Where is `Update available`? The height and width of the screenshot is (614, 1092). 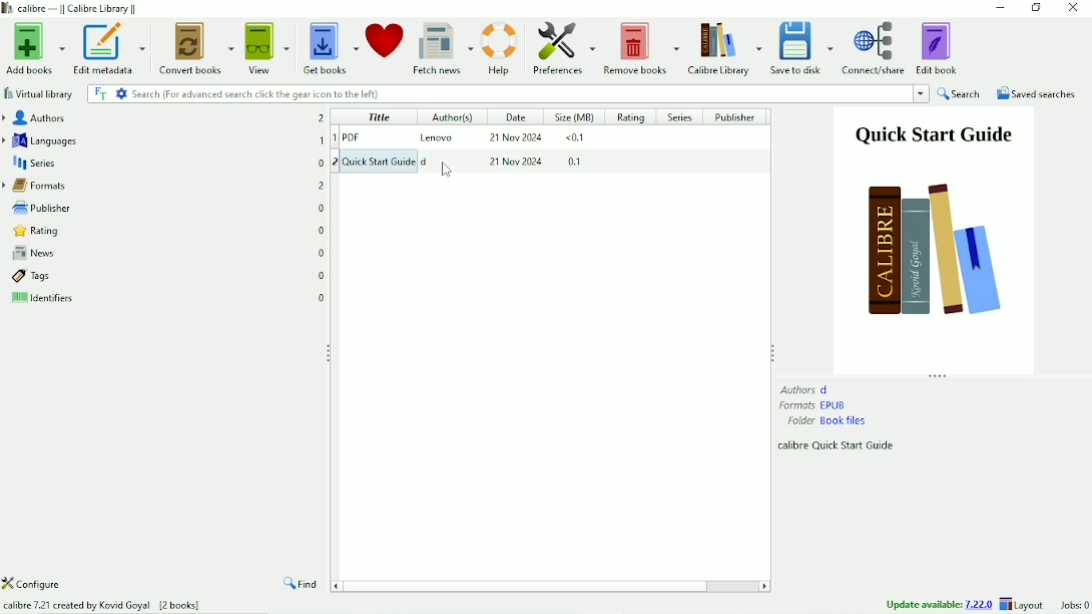
Update available is located at coordinates (939, 604).